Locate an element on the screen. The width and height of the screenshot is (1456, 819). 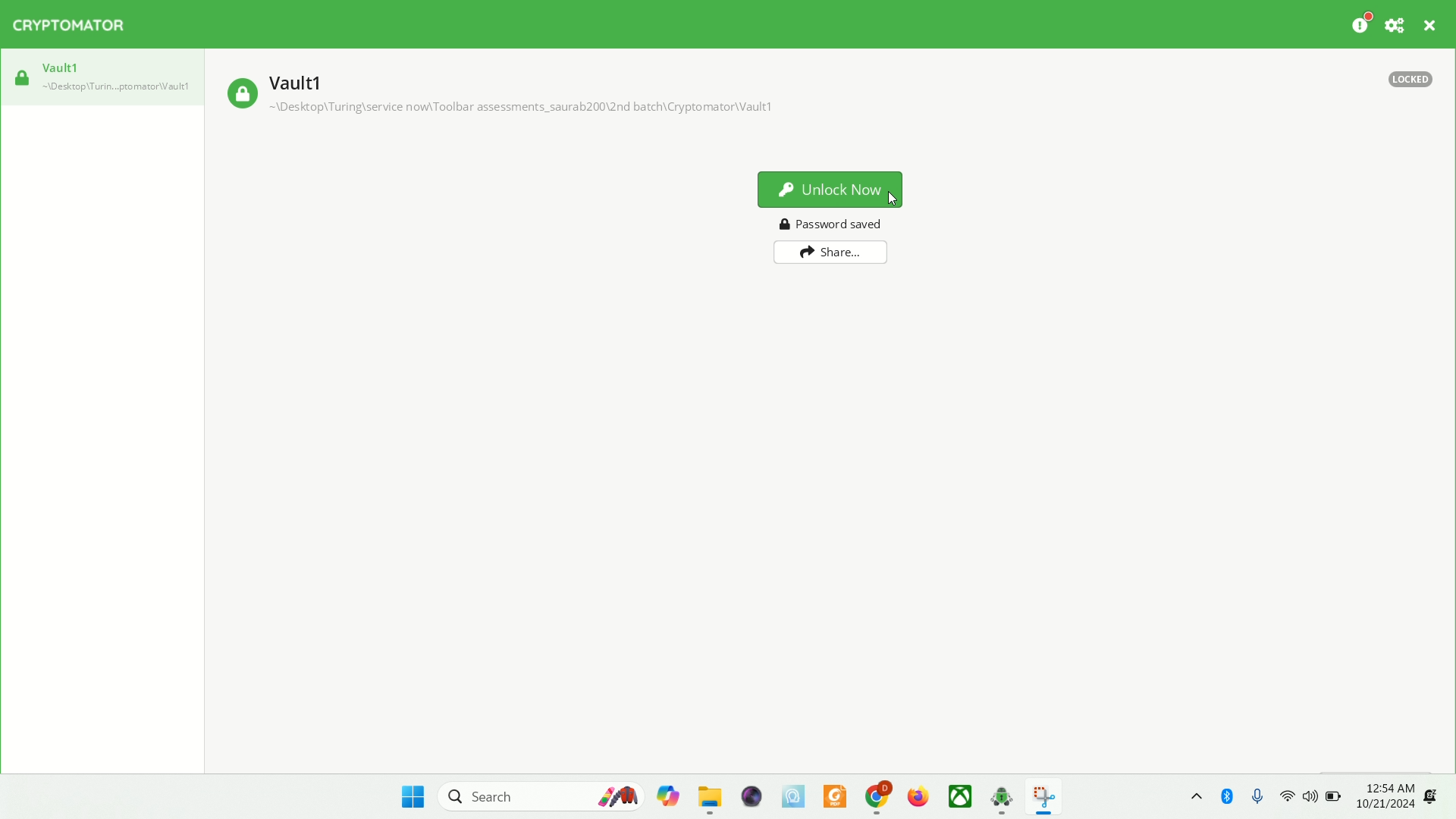
MSI center Pro is located at coordinates (792, 796).